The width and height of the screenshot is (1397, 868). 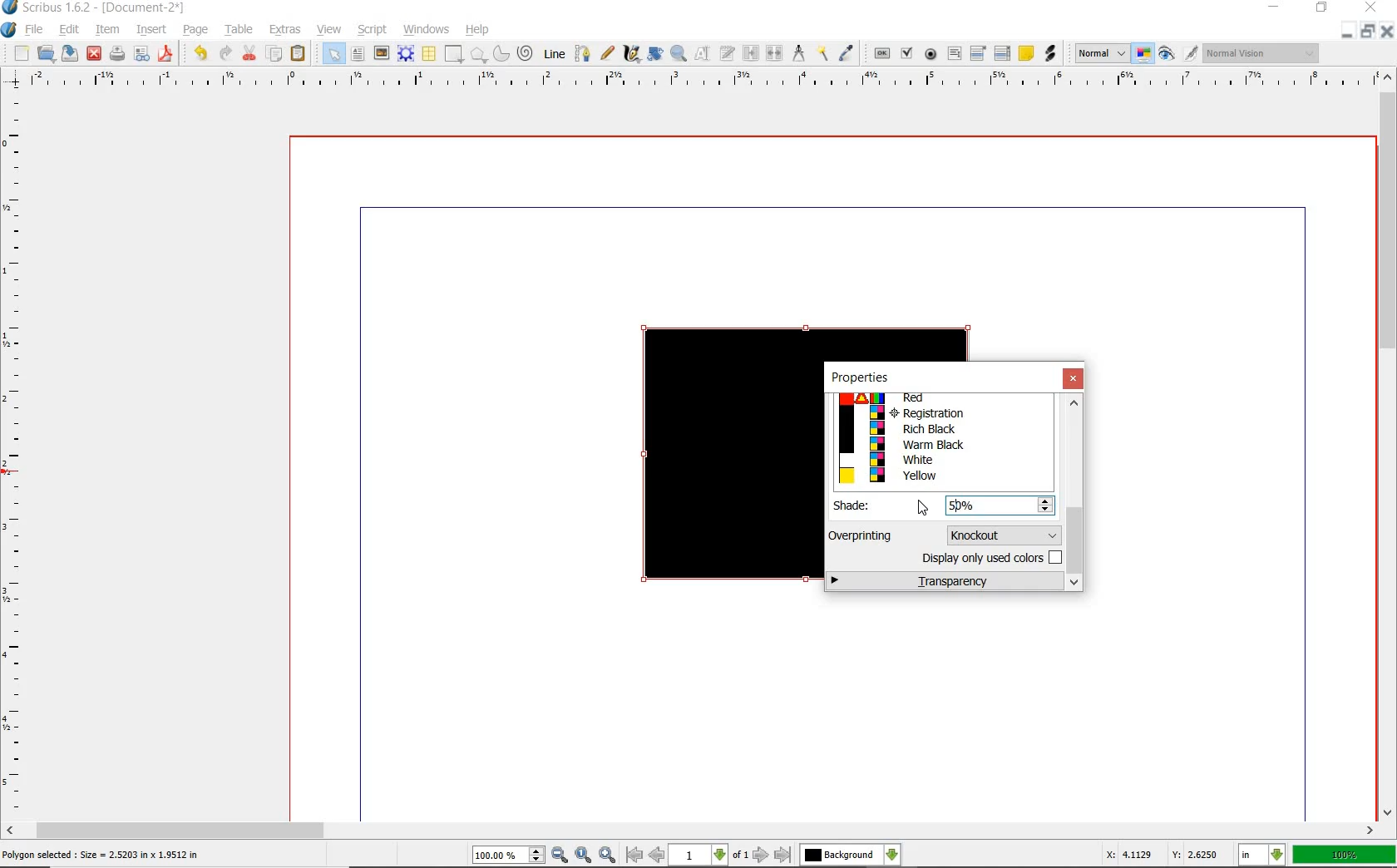 I want to click on help, so click(x=479, y=31).